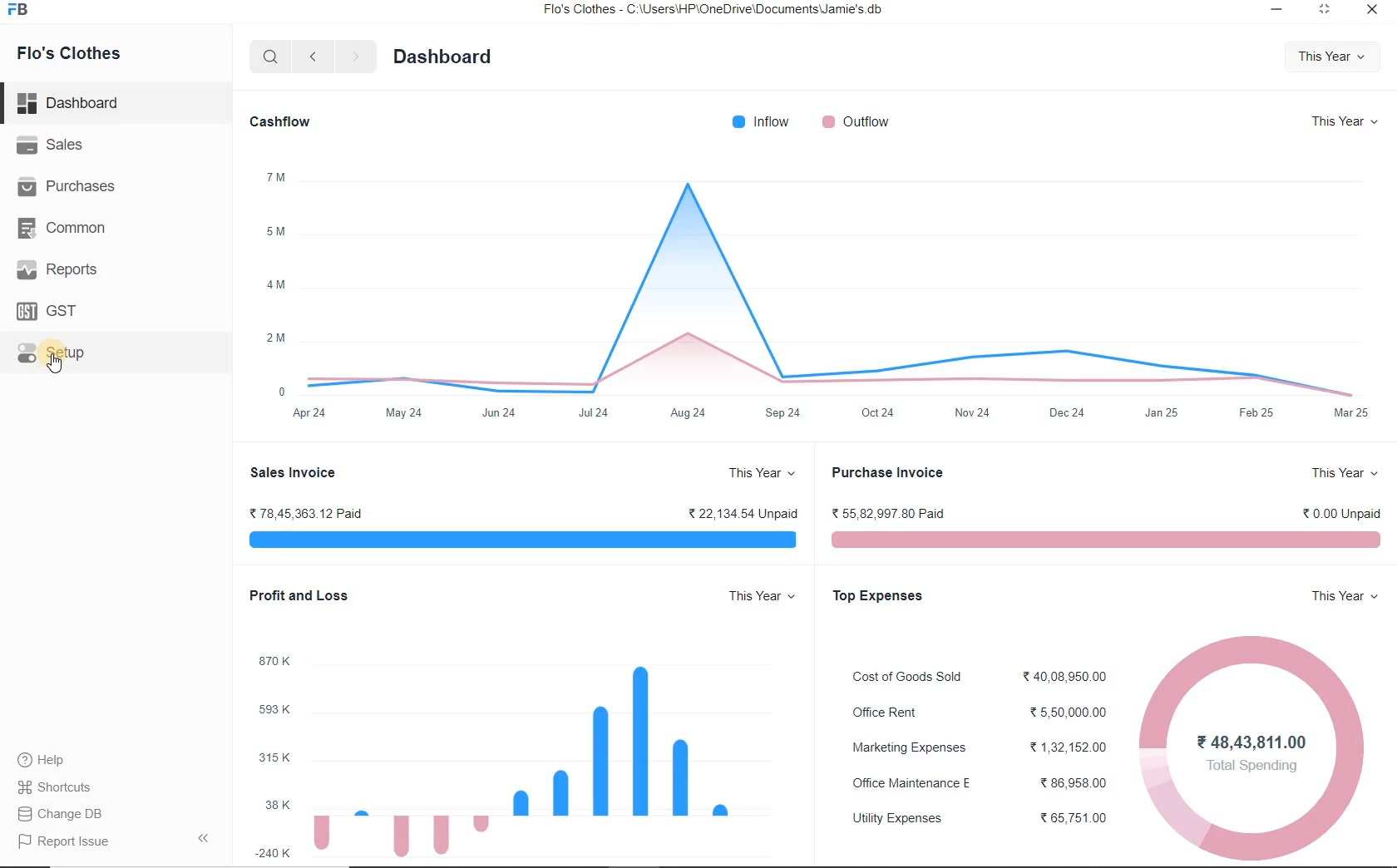 The height and width of the screenshot is (868, 1397). What do you see at coordinates (72, 105) in the screenshot?
I see `Dashboard` at bounding box center [72, 105].